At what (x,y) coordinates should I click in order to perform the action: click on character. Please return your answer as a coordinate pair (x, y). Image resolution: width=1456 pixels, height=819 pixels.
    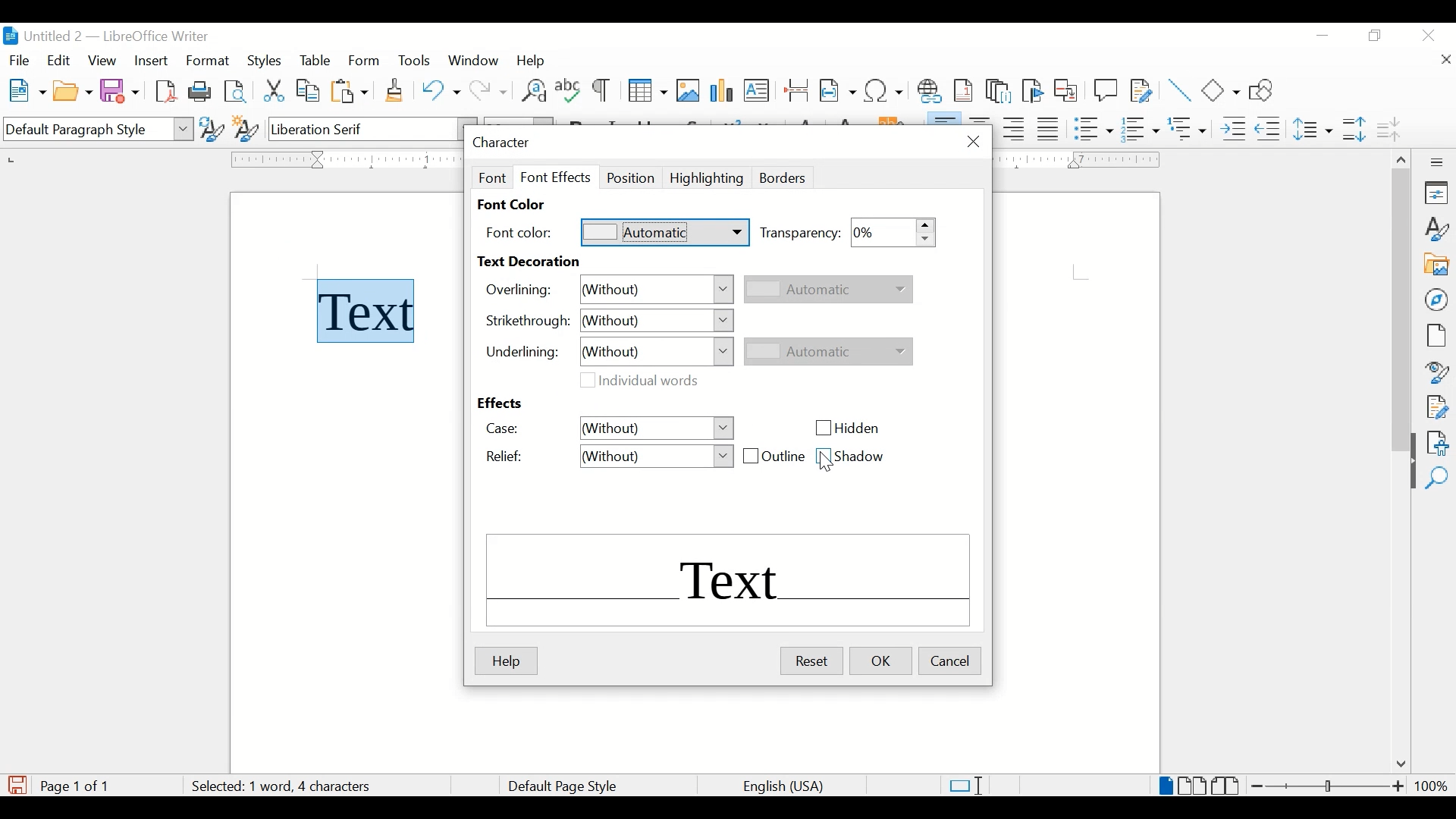
    Looking at the image, I should click on (507, 145).